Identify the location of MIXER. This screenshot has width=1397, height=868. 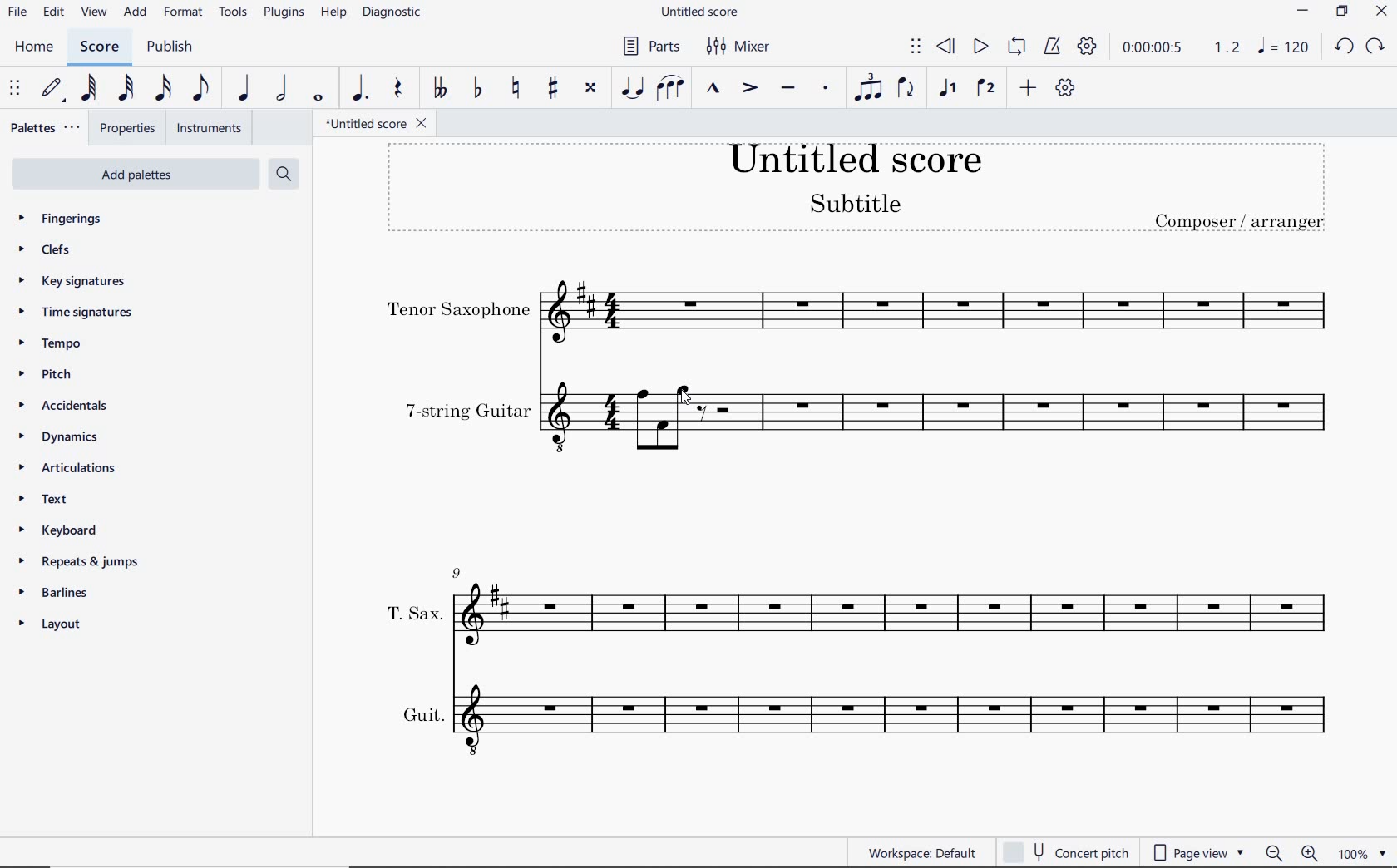
(737, 46).